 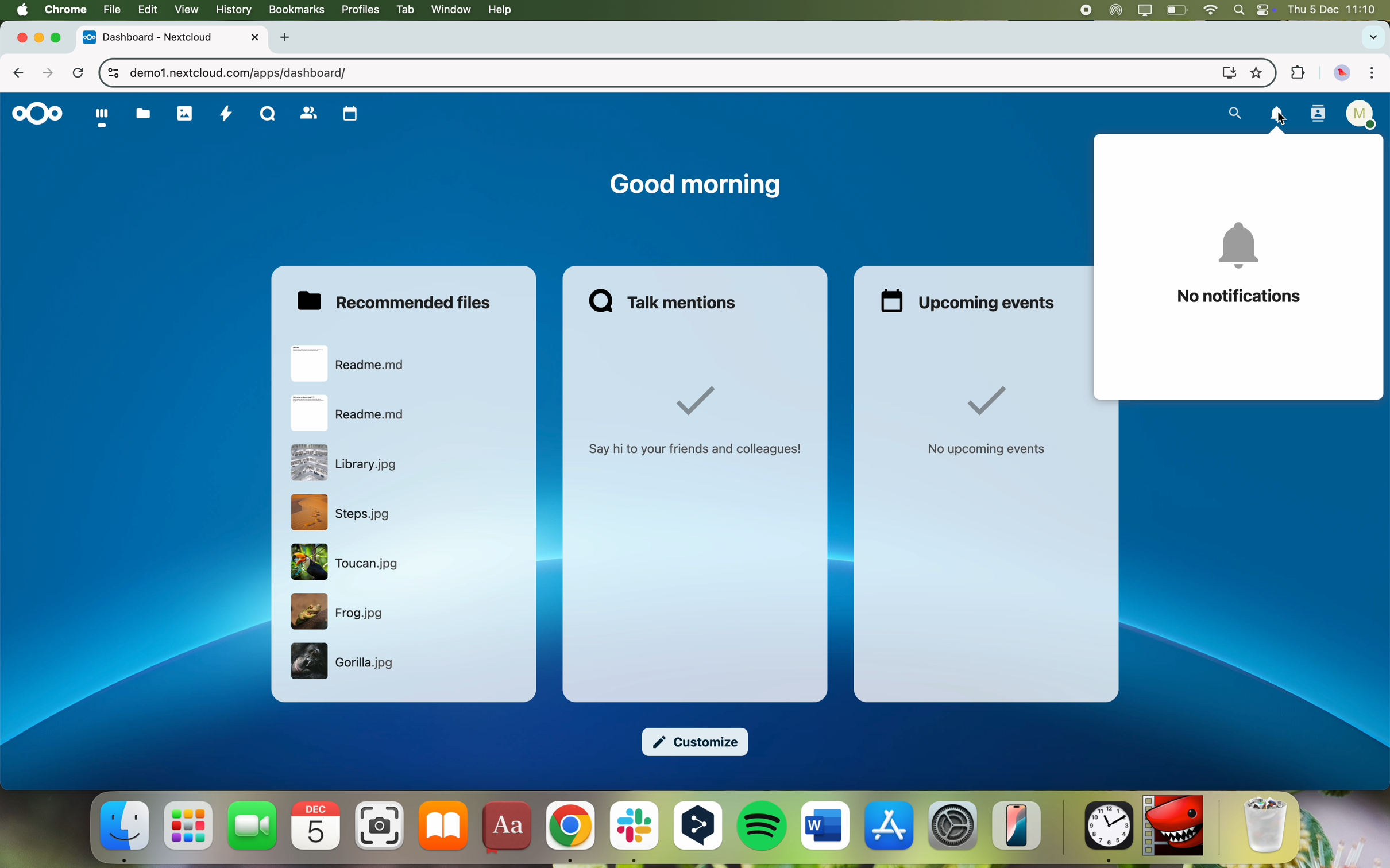 What do you see at coordinates (1267, 827) in the screenshot?
I see `Trash` at bounding box center [1267, 827].